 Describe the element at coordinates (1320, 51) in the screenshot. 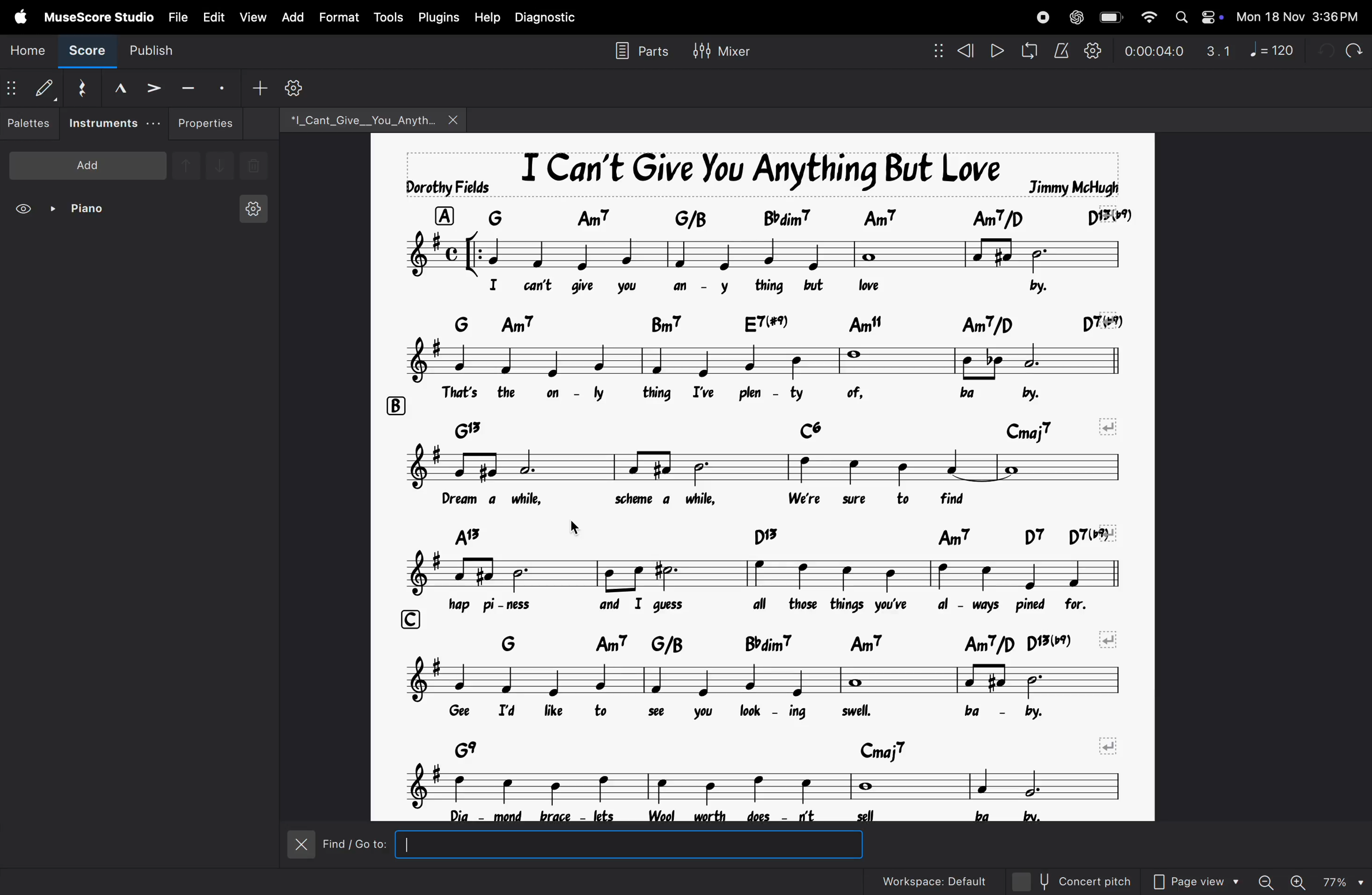

I see `undo` at that location.